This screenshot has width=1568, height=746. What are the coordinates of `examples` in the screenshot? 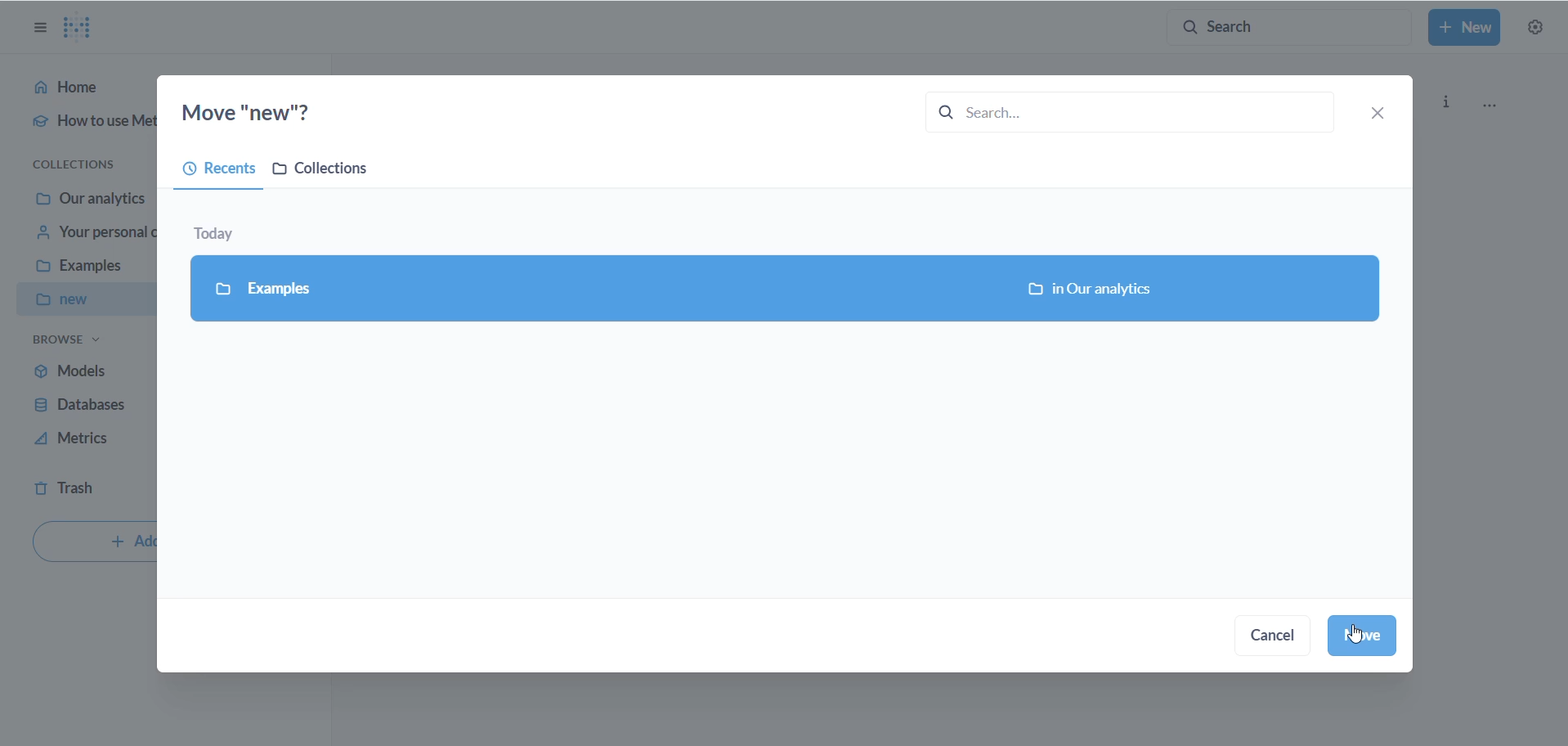 It's located at (87, 270).